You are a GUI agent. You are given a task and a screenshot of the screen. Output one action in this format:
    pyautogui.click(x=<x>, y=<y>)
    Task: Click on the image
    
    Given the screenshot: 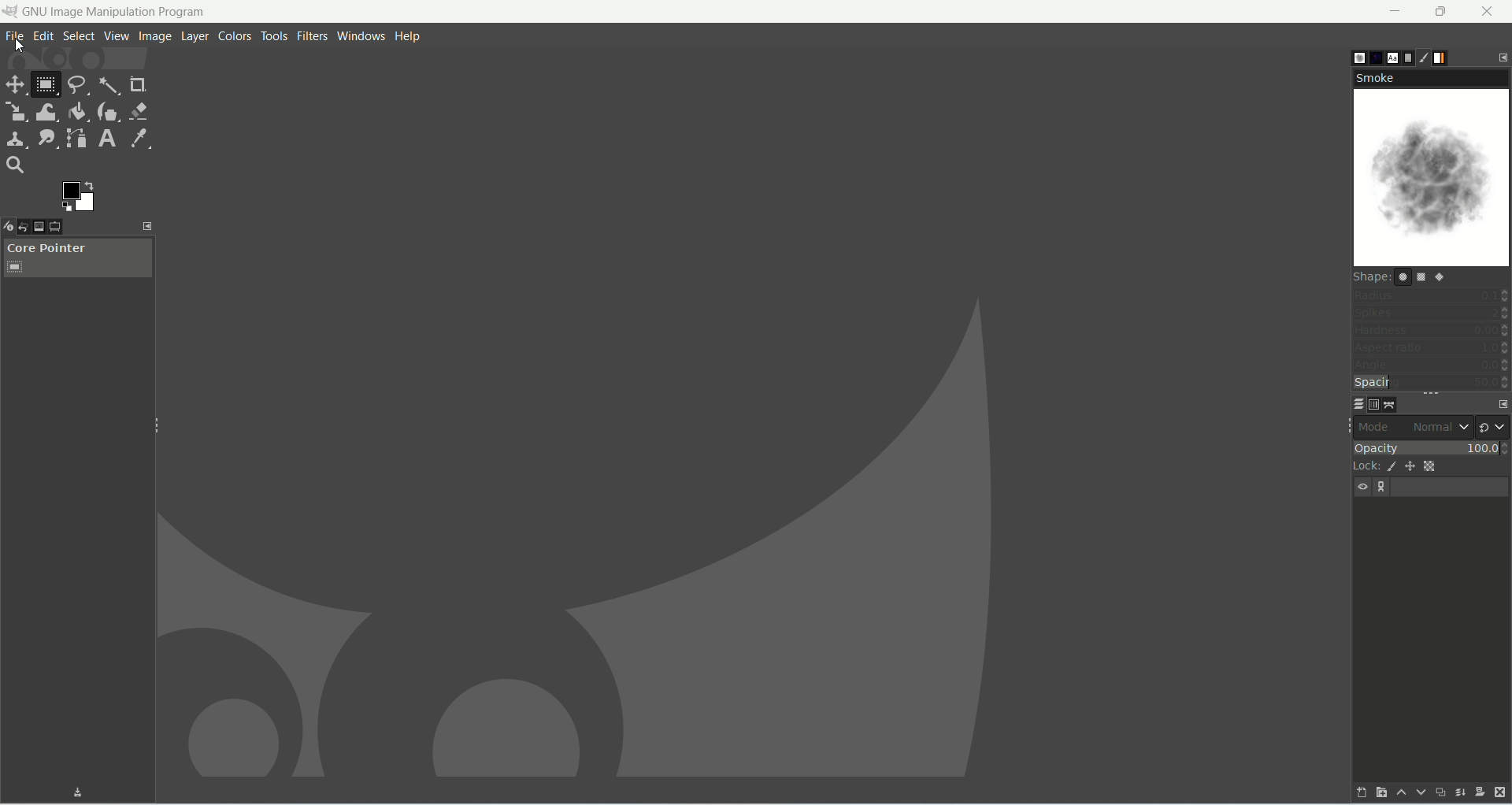 What is the action you would take?
    pyautogui.click(x=154, y=36)
    